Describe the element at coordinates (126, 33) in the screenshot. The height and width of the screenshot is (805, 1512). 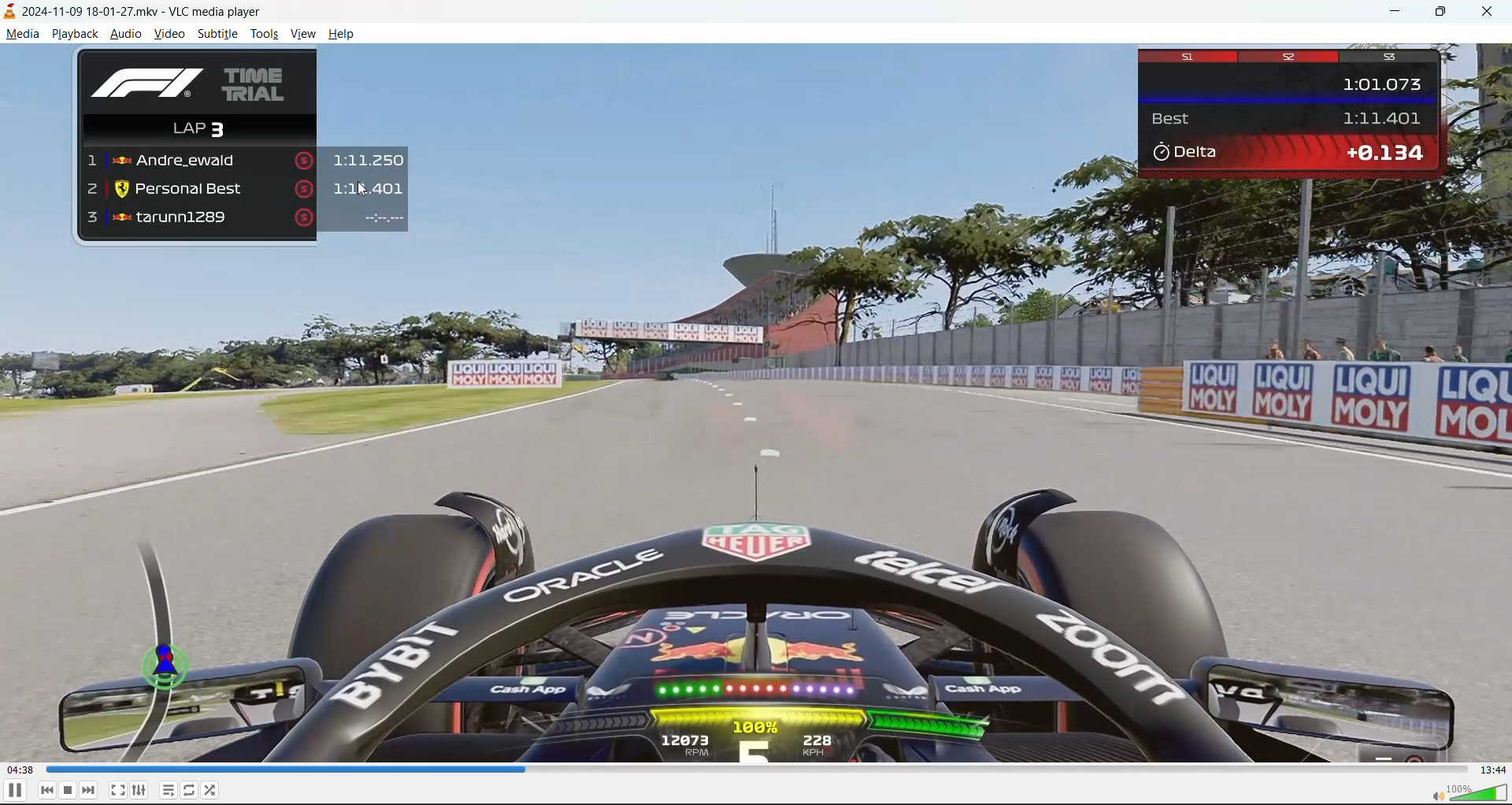
I see `audio` at that location.